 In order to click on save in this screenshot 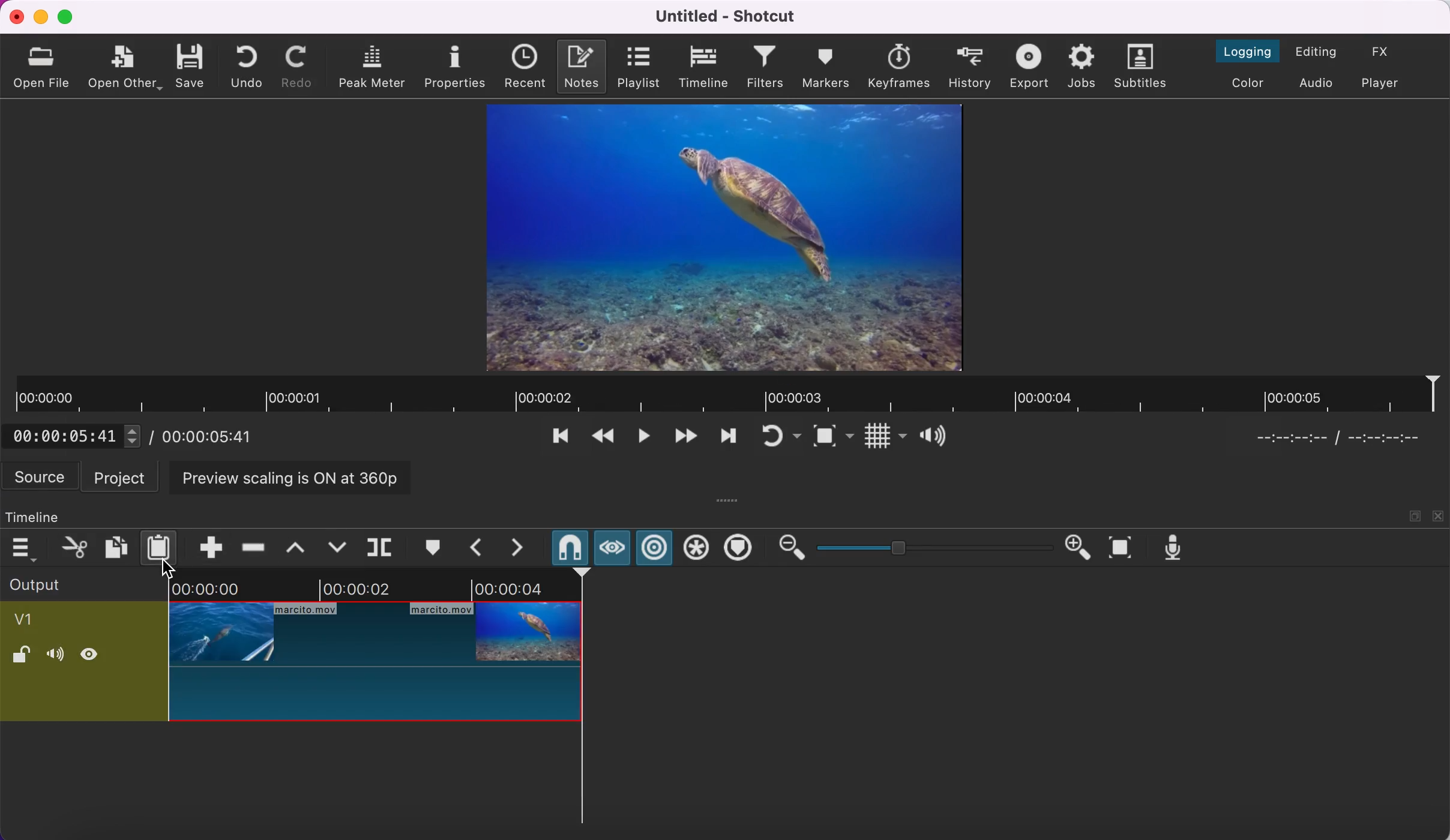, I will do `click(194, 64)`.